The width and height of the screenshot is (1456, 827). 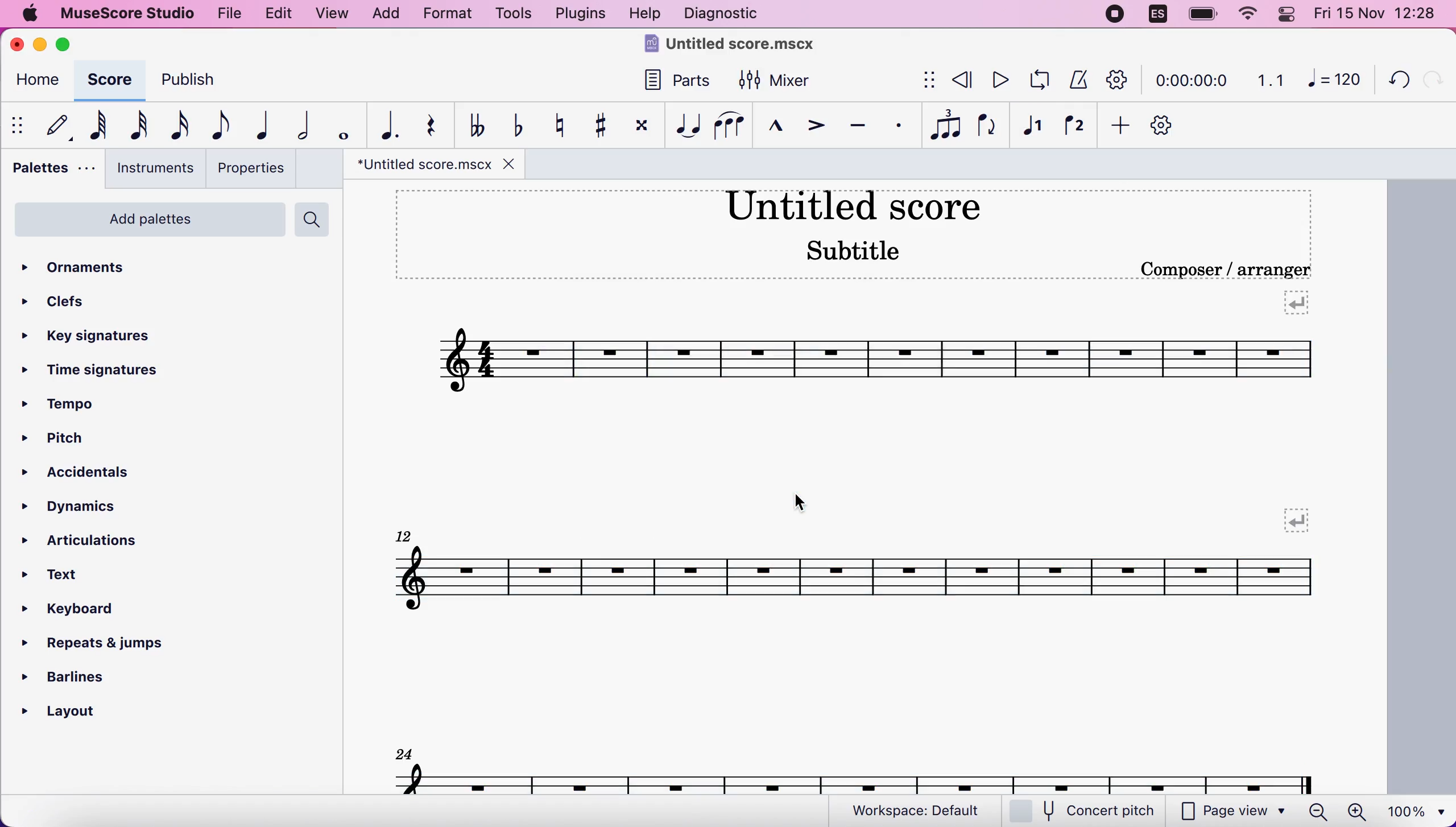 I want to click on score, so click(x=857, y=778).